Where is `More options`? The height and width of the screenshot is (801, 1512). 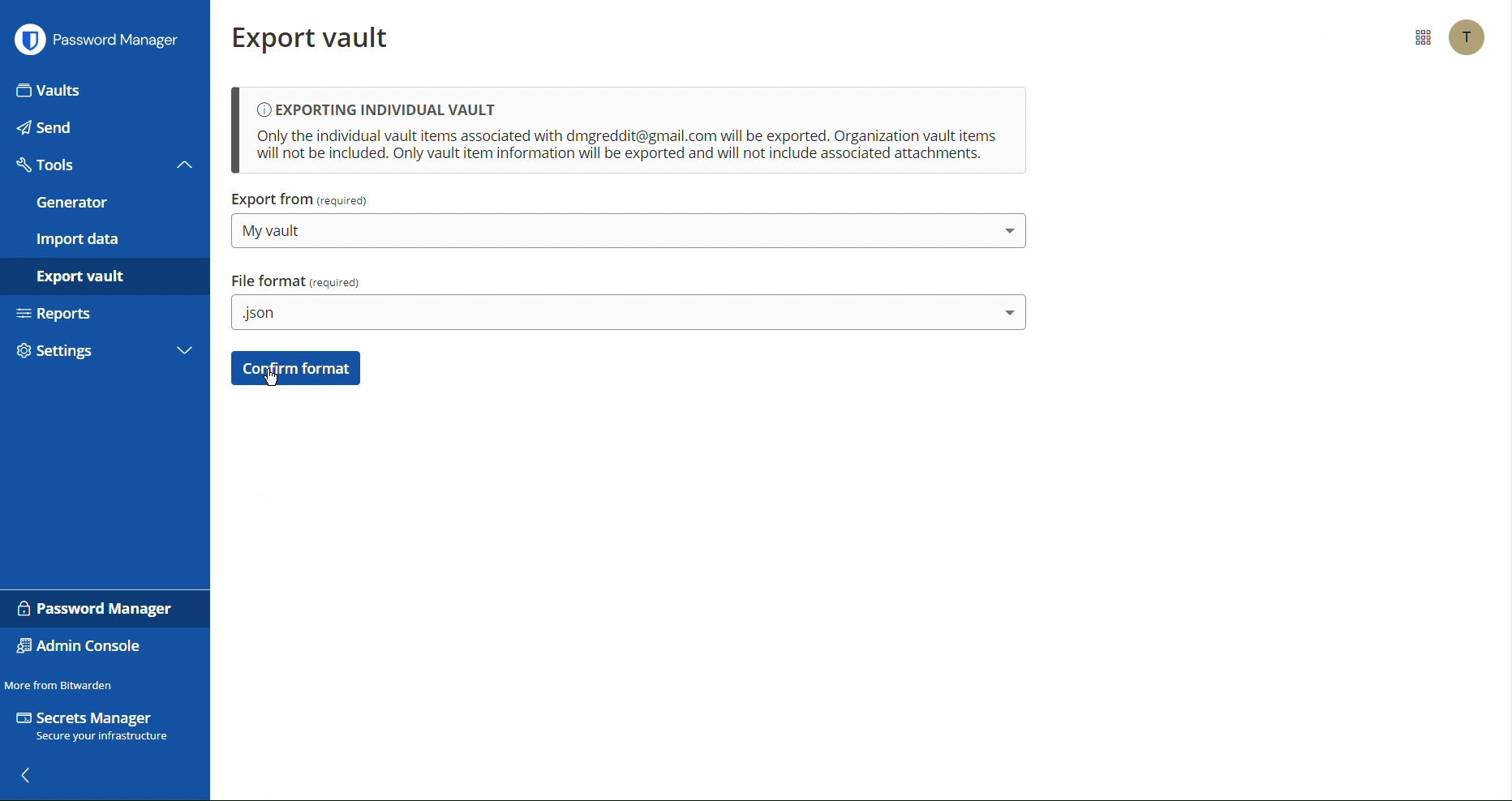
More options is located at coordinates (1420, 38).